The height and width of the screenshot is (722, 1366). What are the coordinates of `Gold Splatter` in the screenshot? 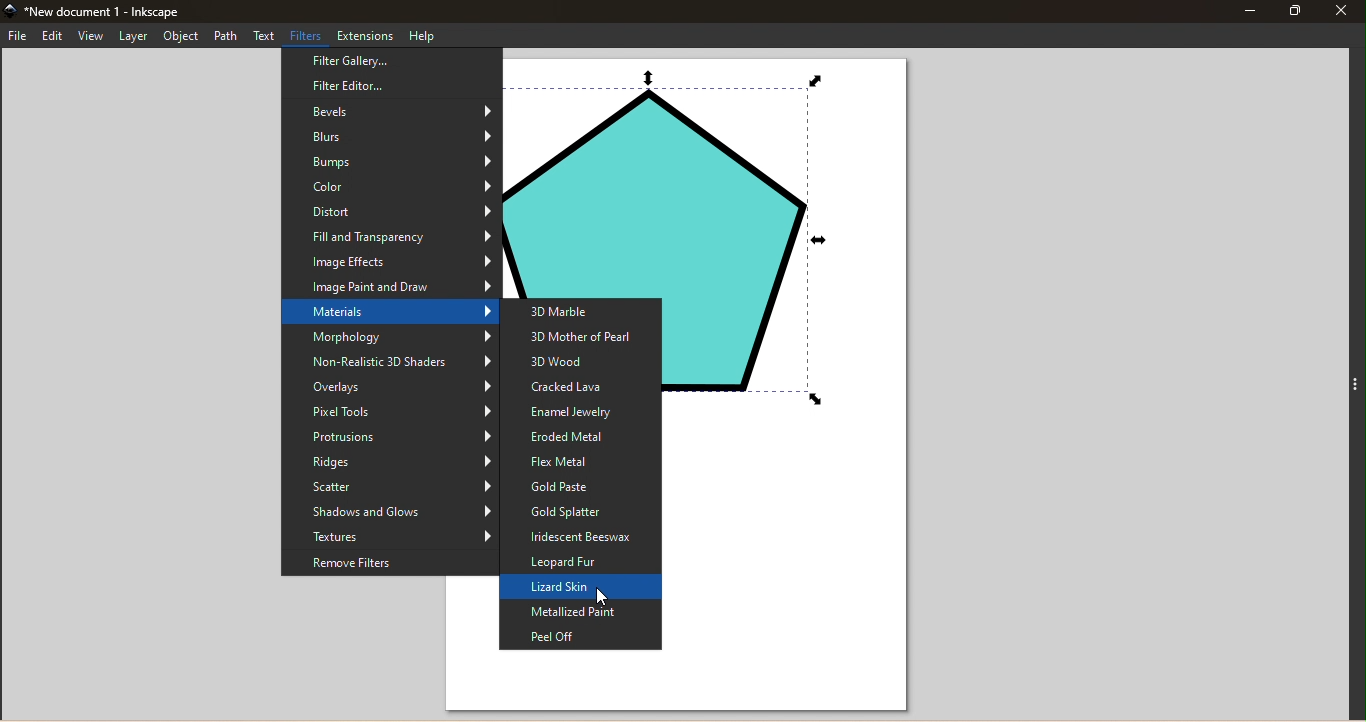 It's located at (579, 512).